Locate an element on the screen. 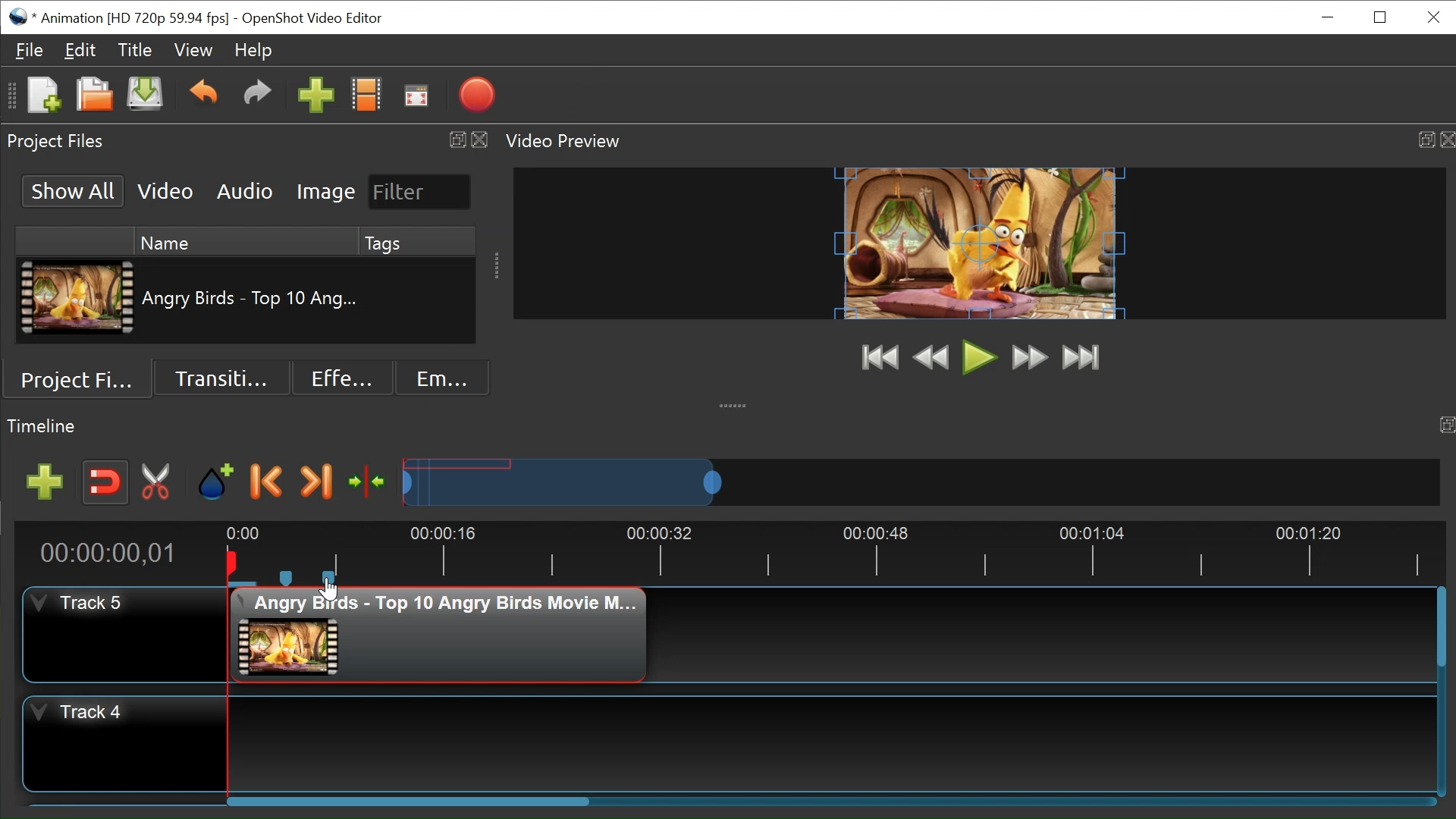 This screenshot has width=1456, height=819. Track Panel is located at coordinates (835, 743).